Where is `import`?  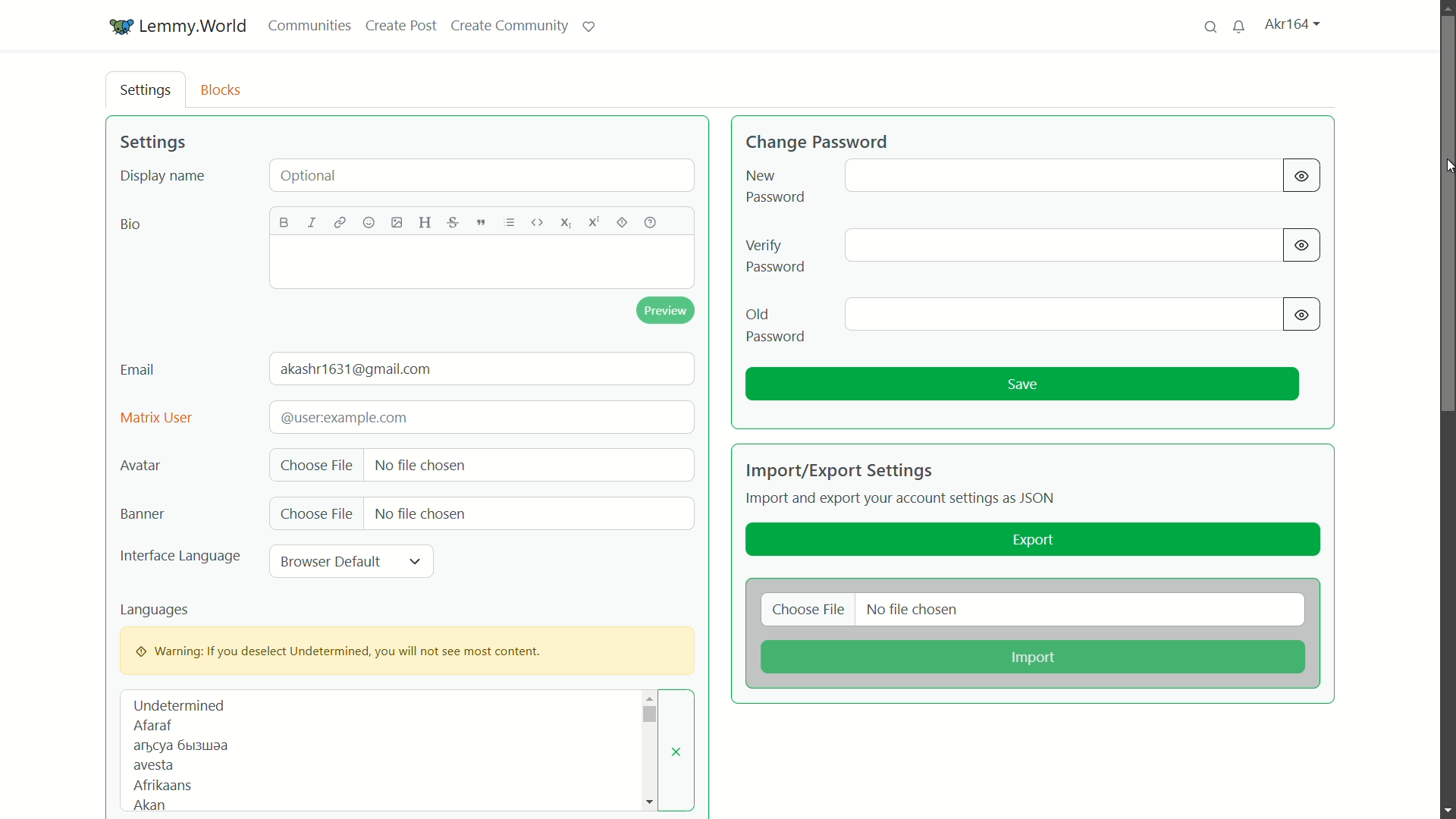 import is located at coordinates (1031, 658).